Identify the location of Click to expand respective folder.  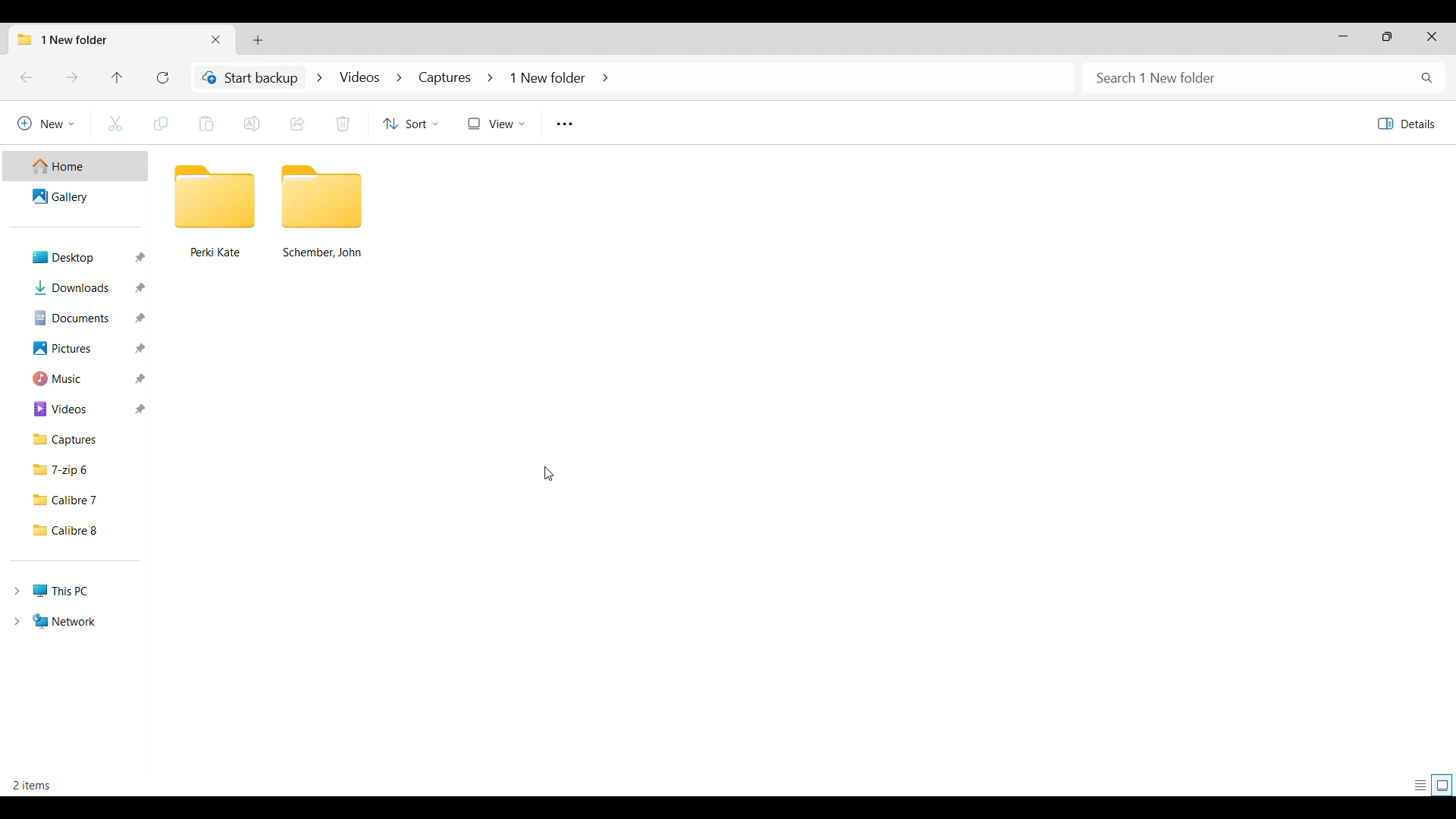
(17, 607).